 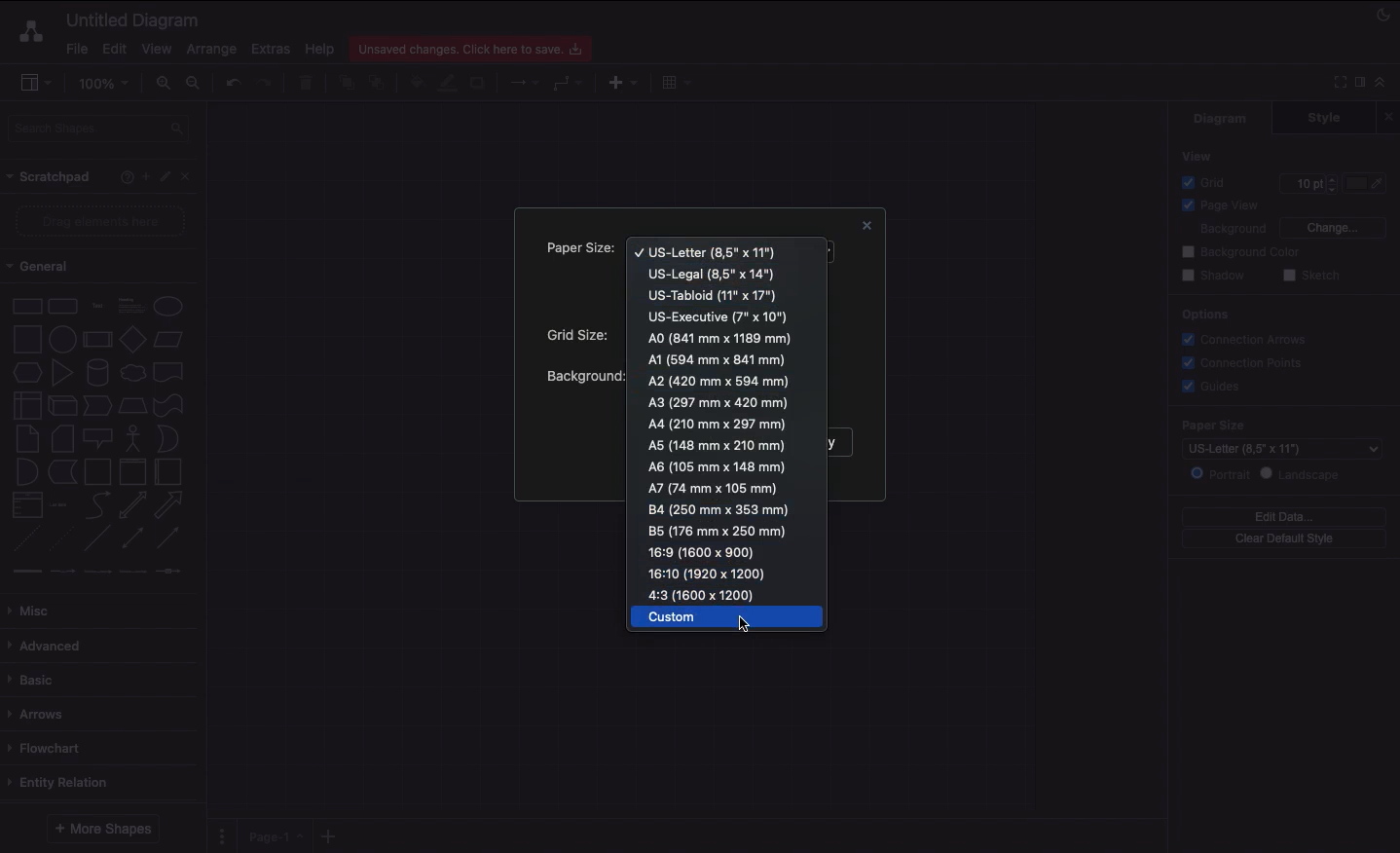 I want to click on Diagram, so click(x=1222, y=118).